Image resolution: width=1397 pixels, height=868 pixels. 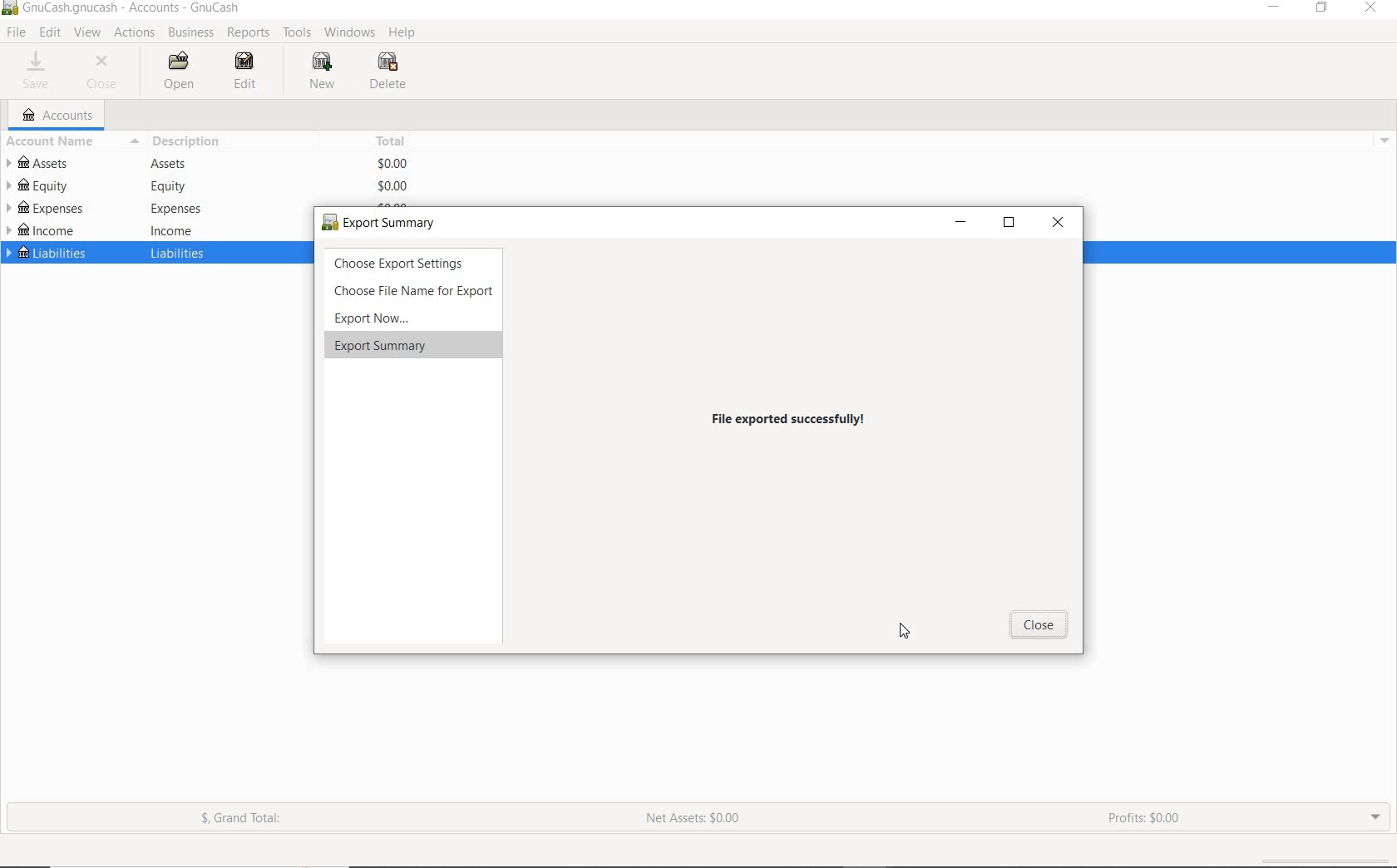 What do you see at coordinates (1373, 819) in the screenshot?
I see `EXPAND` at bounding box center [1373, 819].